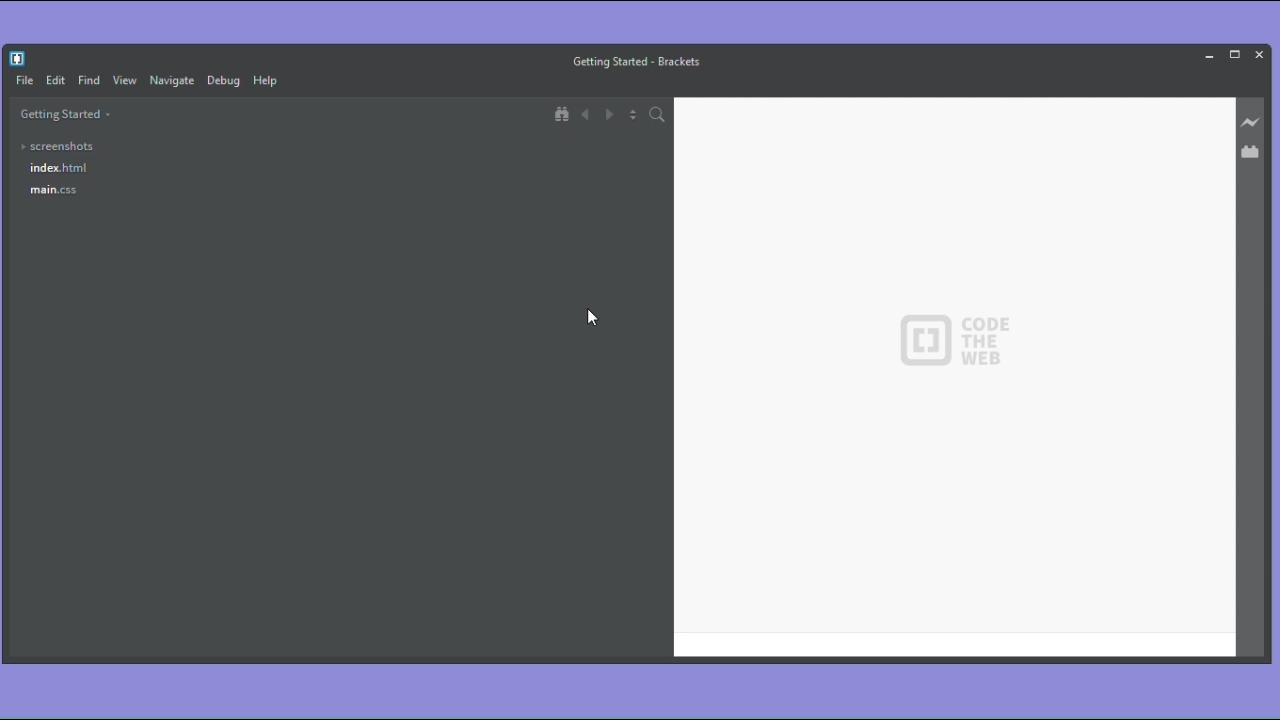 The height and width of the screenshot is (720, 1280). What do you see at coordinates (54, 190) in the screenshot?
I see `main.css` at bounding box center [54, 190].